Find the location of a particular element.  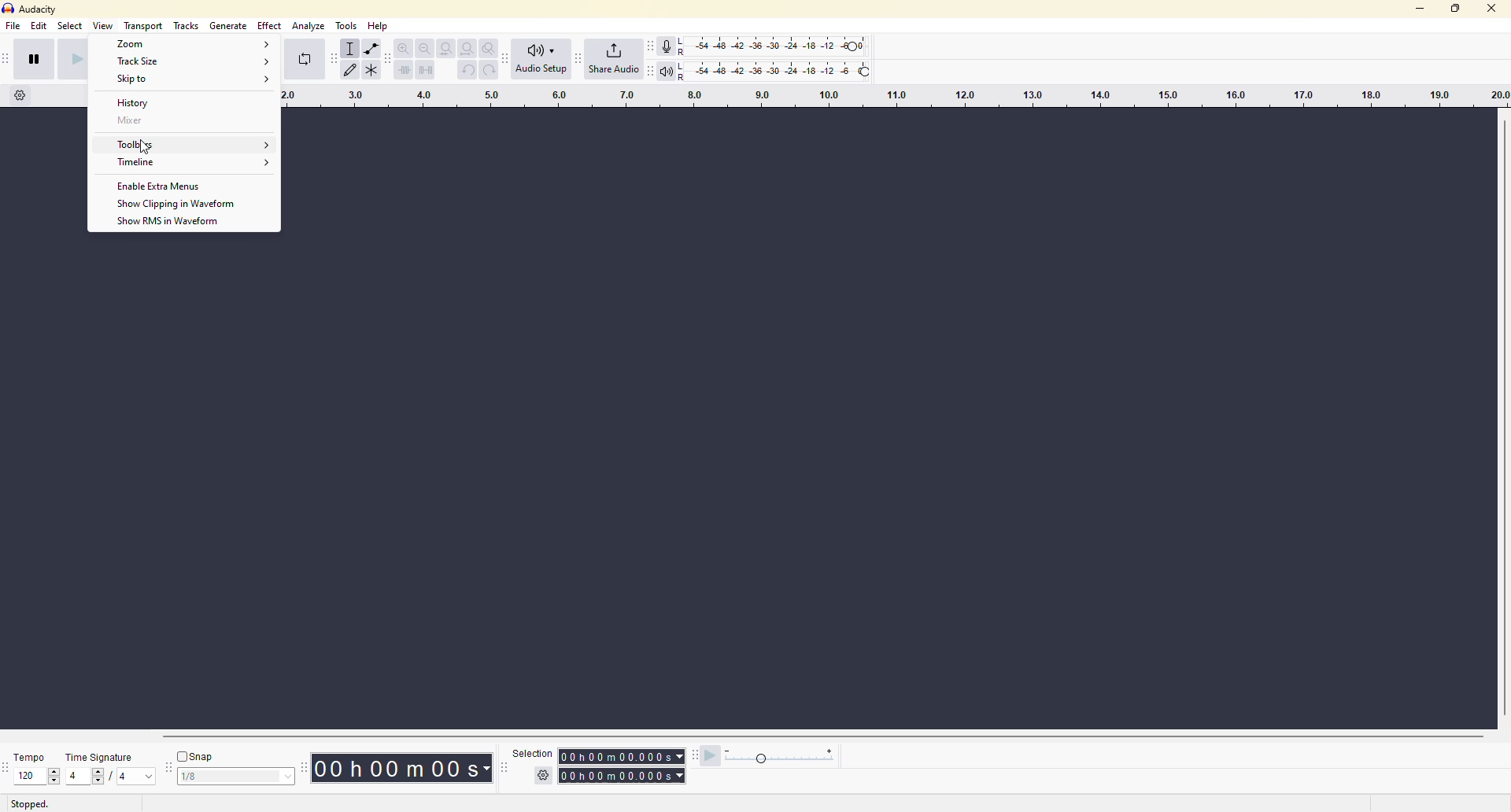

time signature is located at coordinates (98, 757).